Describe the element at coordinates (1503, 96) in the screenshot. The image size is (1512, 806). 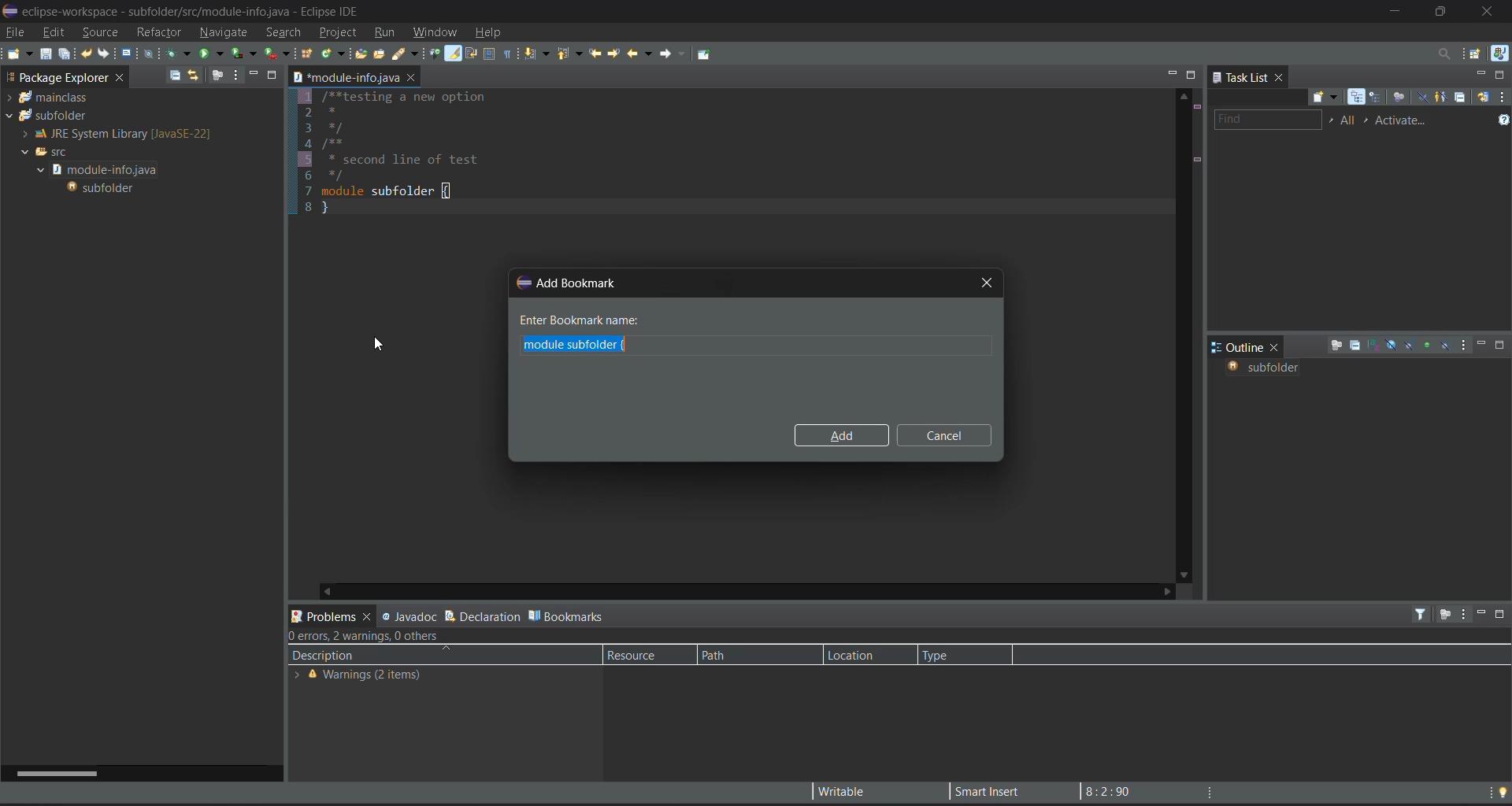
I see `view menu` at that location.